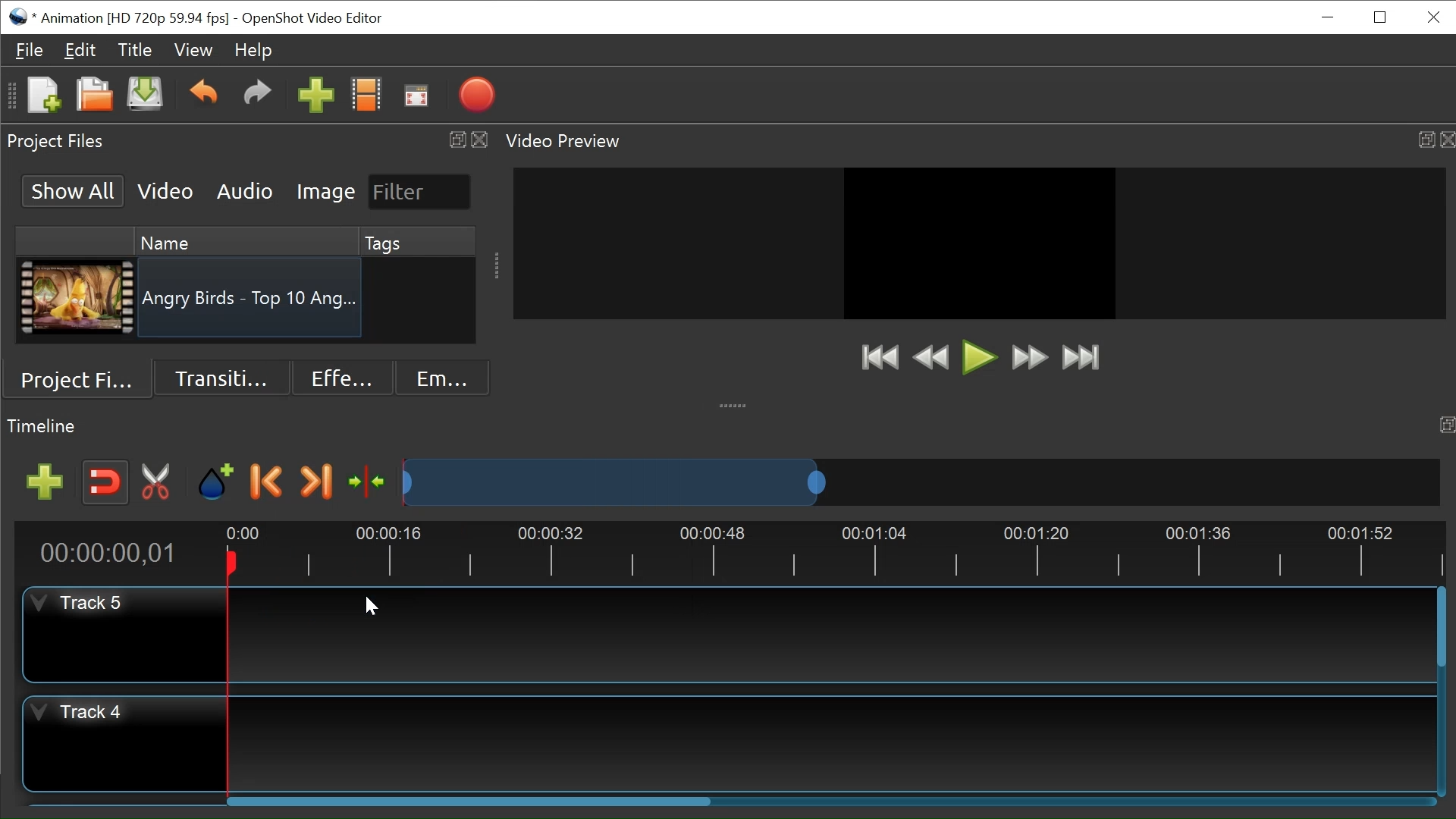  I want to click on Transition, so click(222, 378).